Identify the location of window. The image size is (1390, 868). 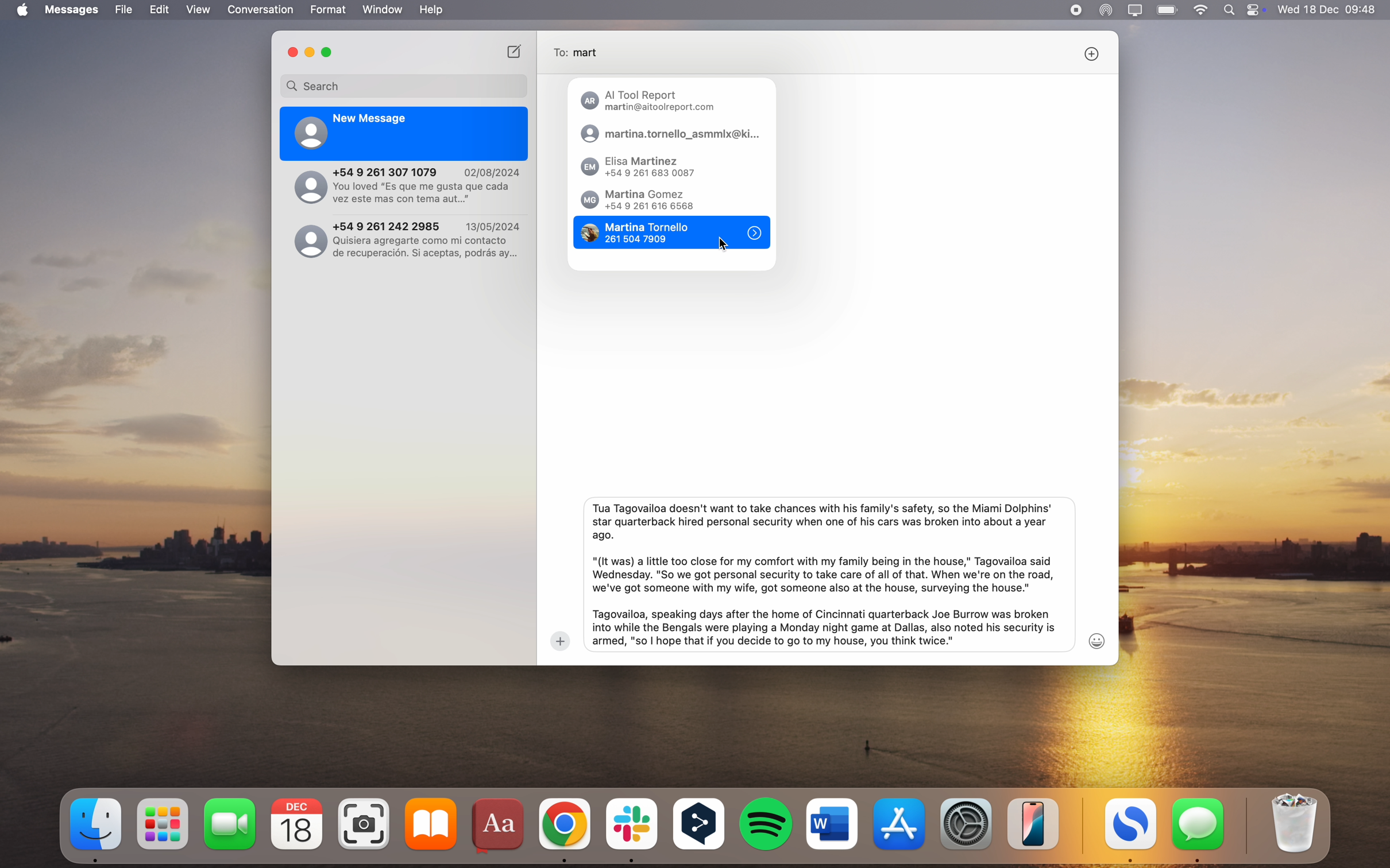
(383, 10).